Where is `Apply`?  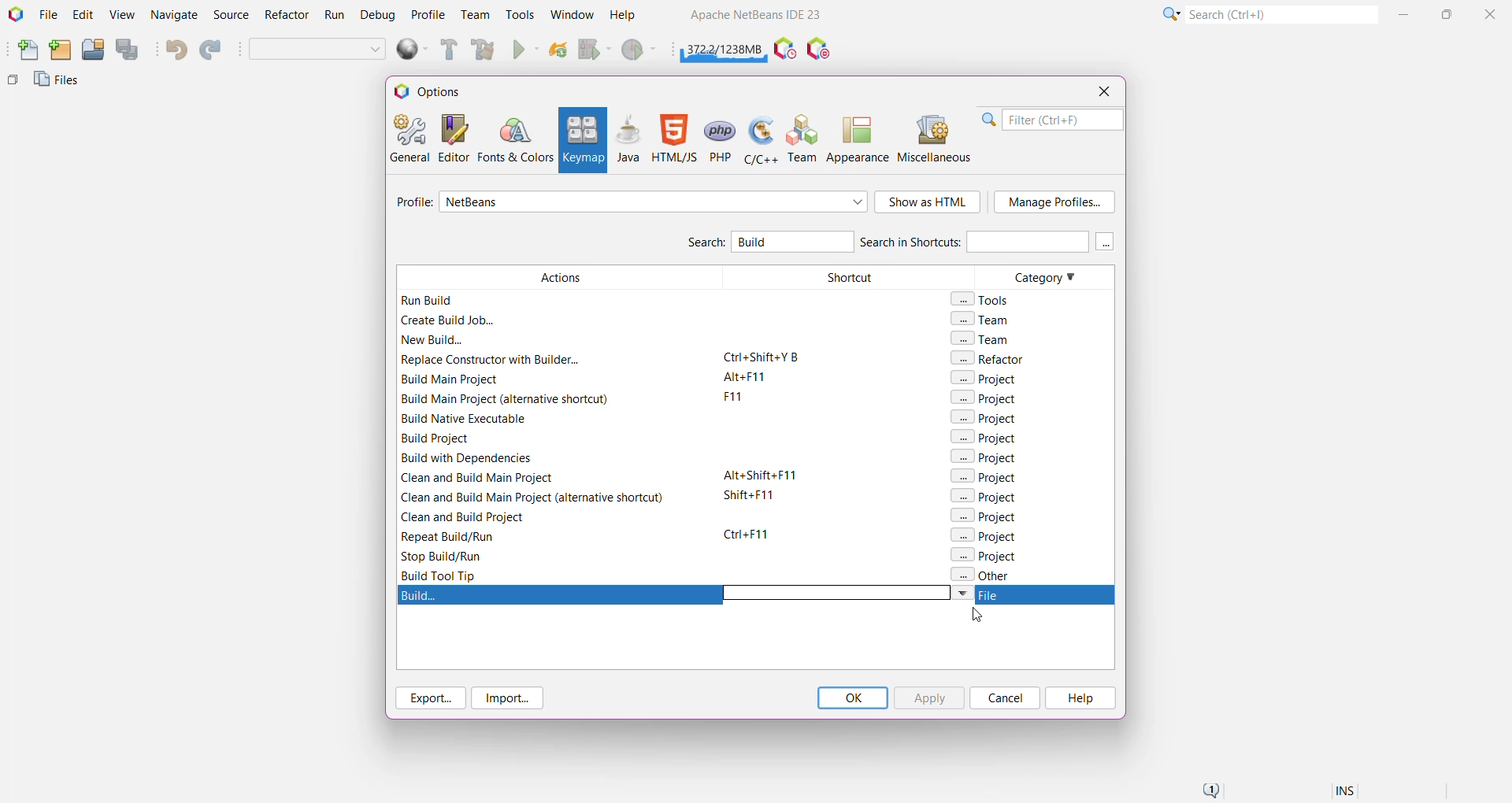 Apply is located at coordinates (928, 698).